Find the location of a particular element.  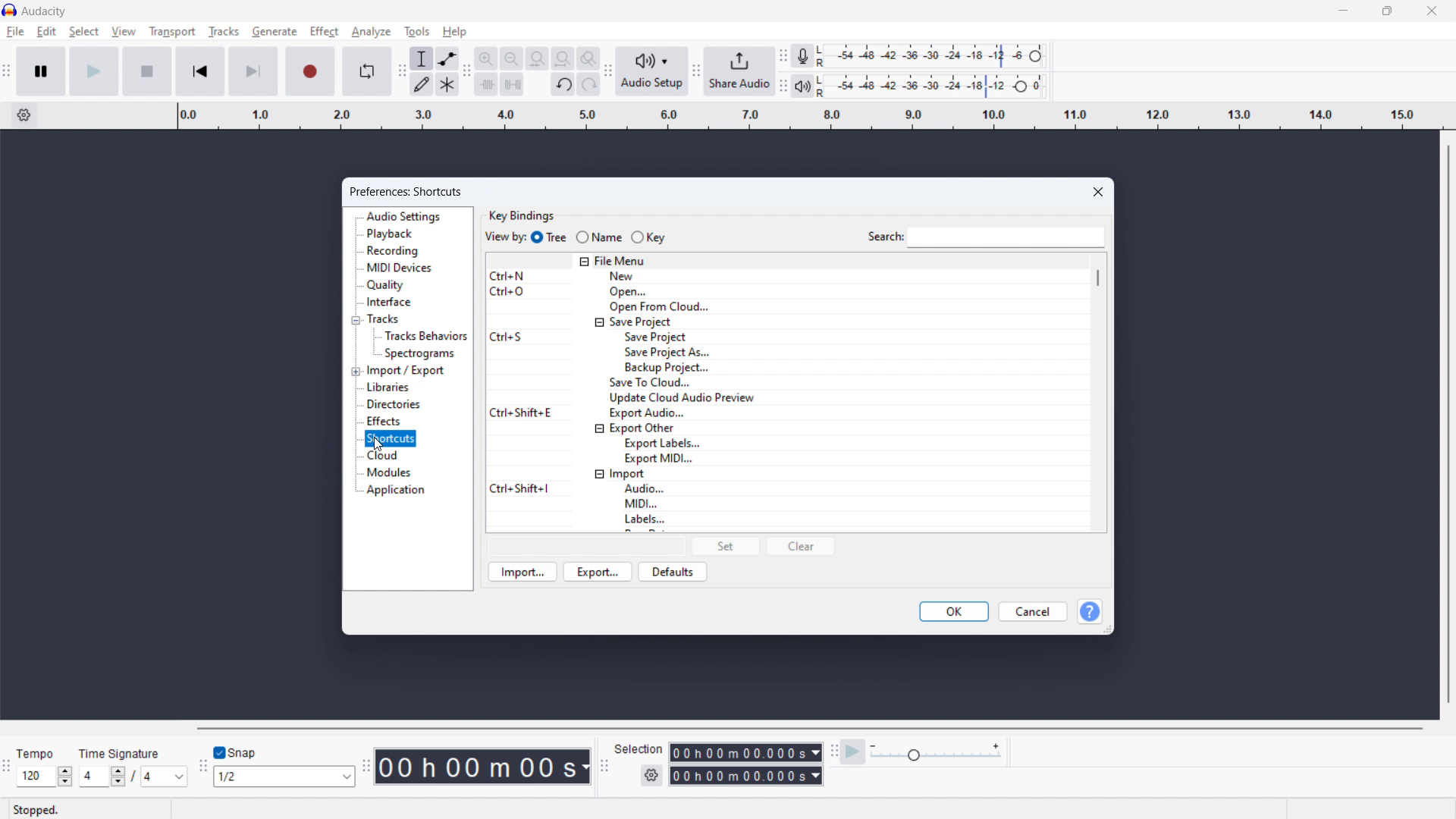

help is located at coordinates (455, 31).